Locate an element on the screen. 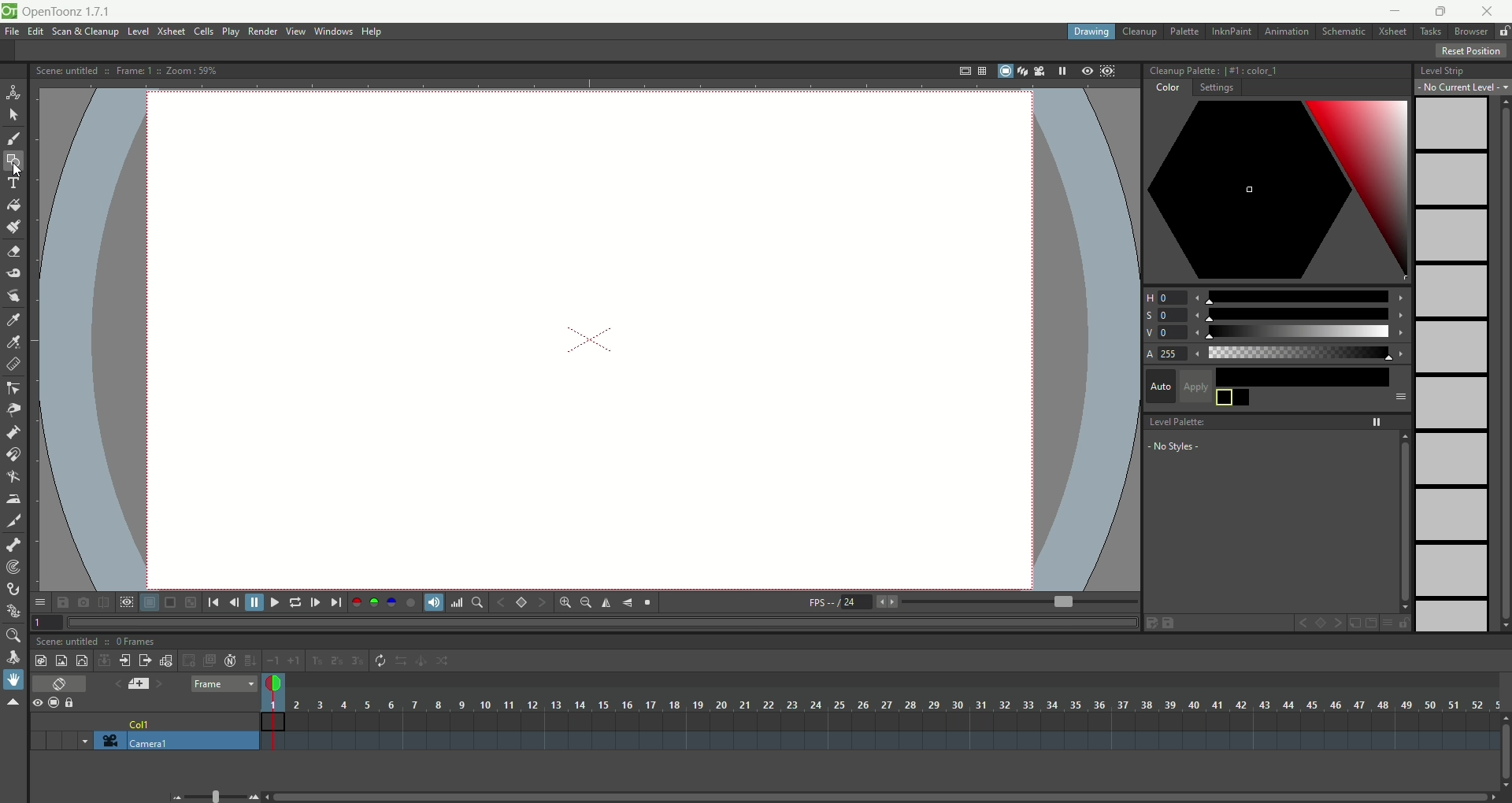  next key is located at coordinates (542, 603).